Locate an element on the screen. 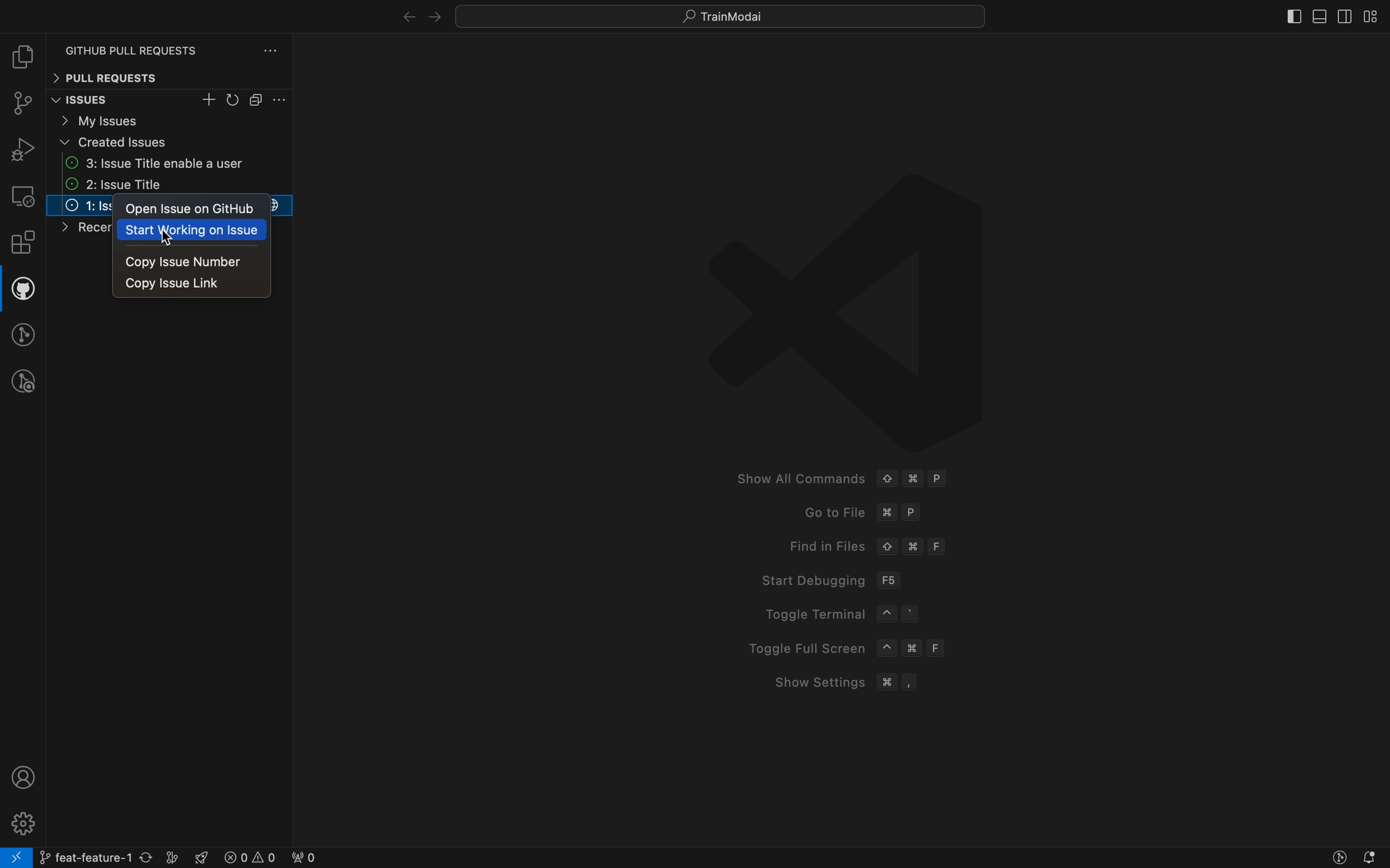 The height and width of the screenshot is (868, 1390). github pull request and issues is located at coordinates (22, 291).